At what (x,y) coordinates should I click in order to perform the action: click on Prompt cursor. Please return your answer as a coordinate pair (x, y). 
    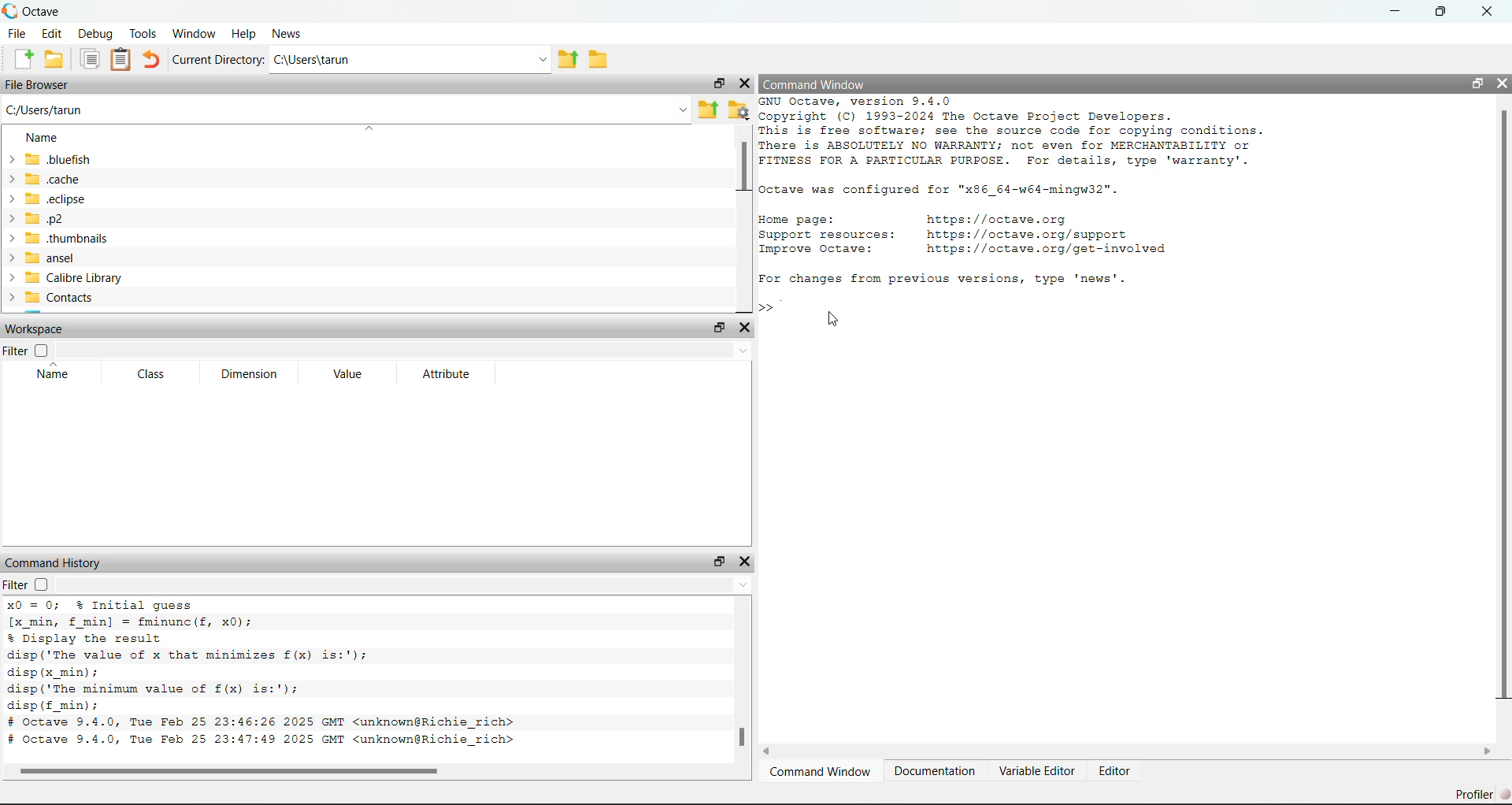
    Looking at the image, I should click on (773, 306).